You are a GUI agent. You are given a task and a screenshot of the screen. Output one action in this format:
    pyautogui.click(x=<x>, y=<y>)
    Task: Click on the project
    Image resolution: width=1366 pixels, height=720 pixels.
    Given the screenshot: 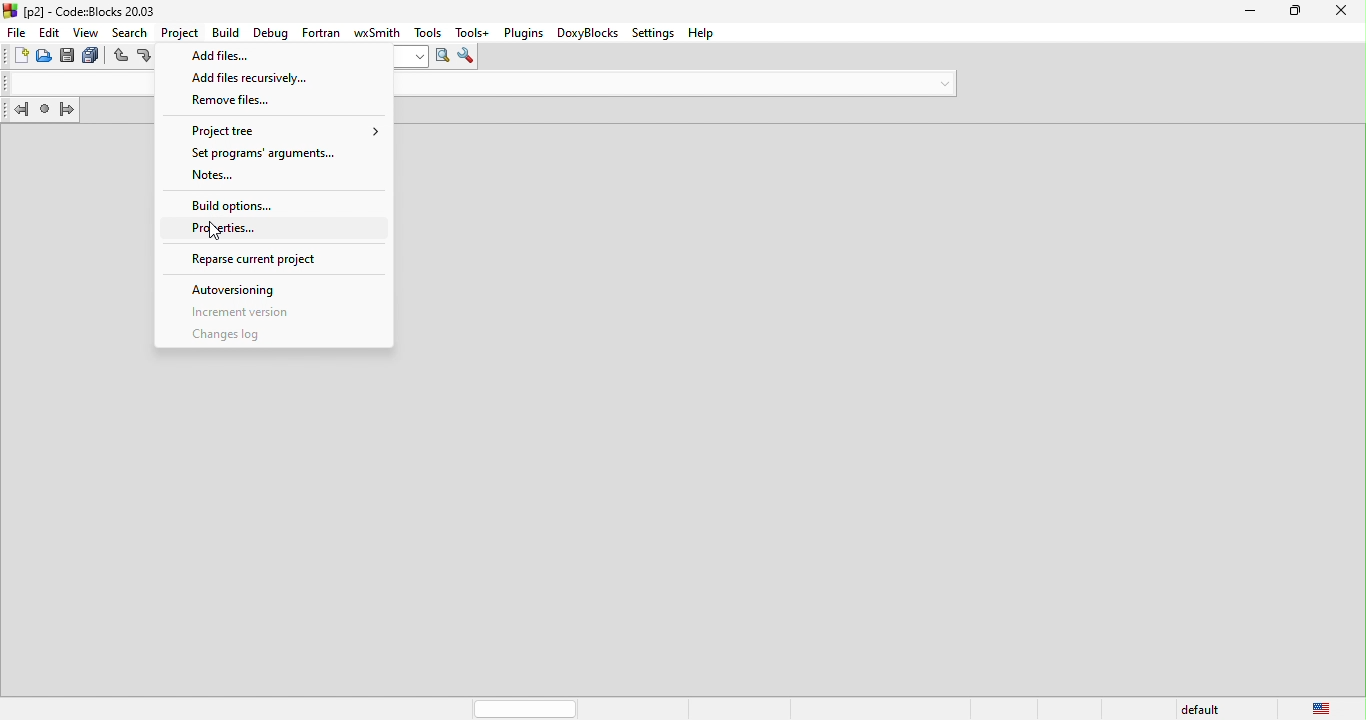 What is the action you would take?
    pyautogui.click(x=179, y=31)
    